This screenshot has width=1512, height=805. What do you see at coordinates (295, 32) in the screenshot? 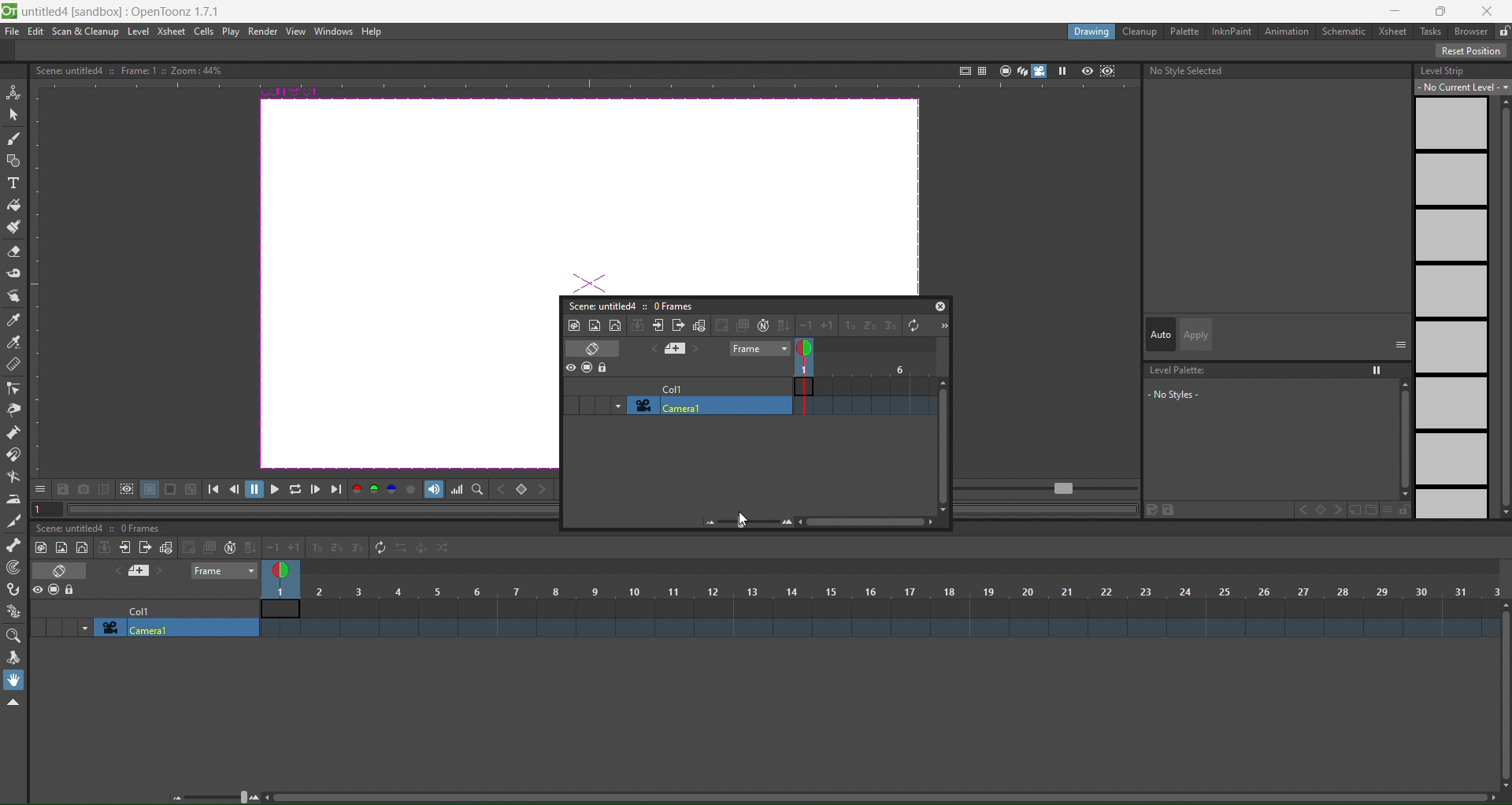
I see `view` at bounding box center [295, 32].